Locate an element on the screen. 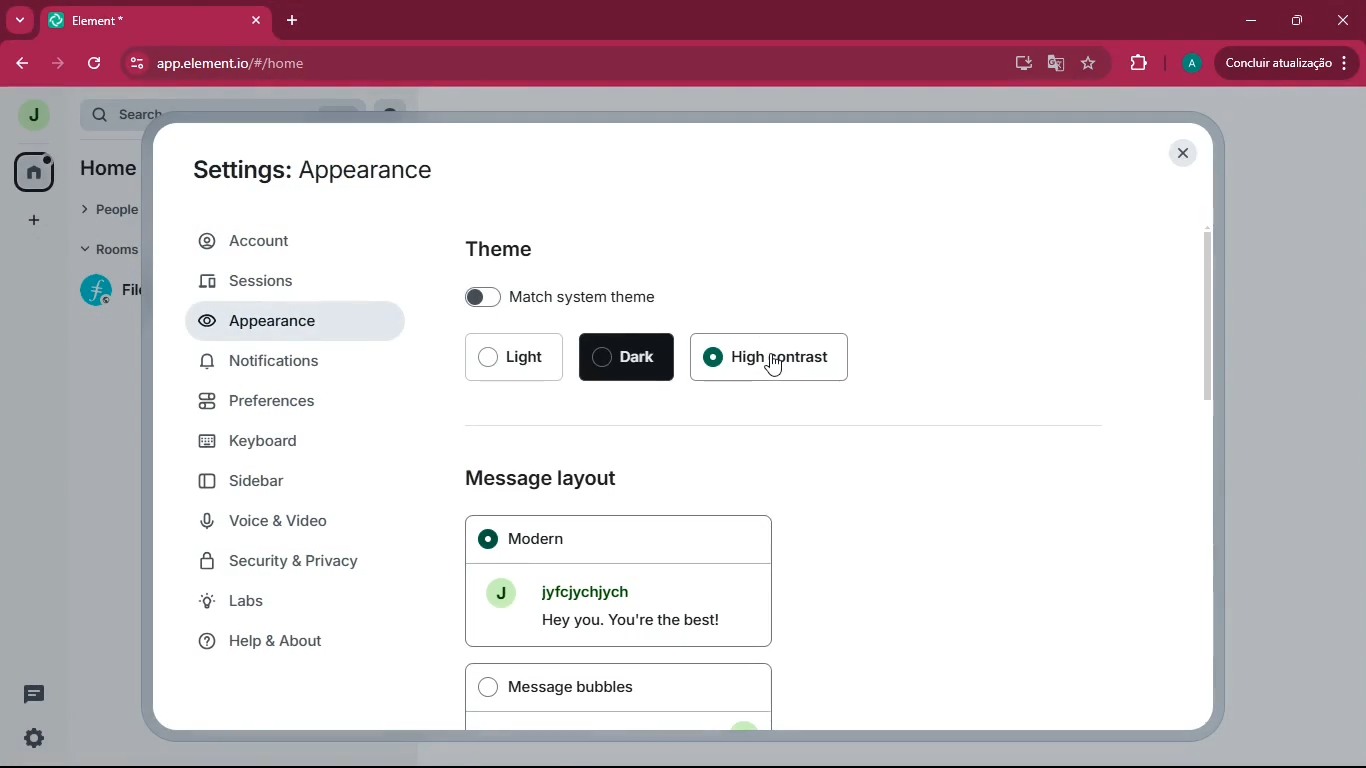 This screenshot has width=1366, height=768. close is located at coordinates (1181, 152).